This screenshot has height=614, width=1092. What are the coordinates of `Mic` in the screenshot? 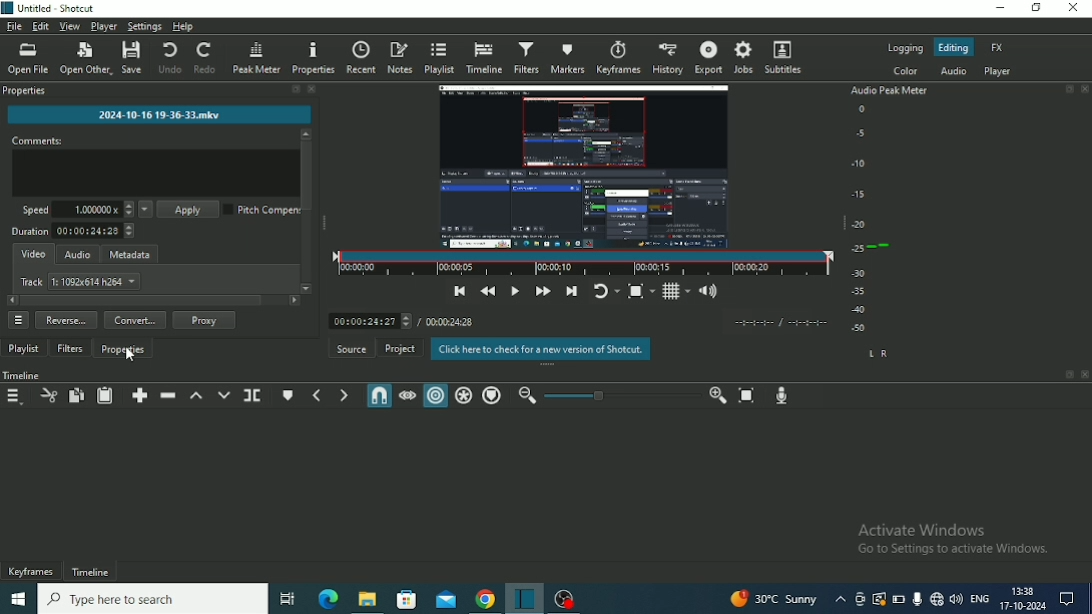 It's located at (917, 599).